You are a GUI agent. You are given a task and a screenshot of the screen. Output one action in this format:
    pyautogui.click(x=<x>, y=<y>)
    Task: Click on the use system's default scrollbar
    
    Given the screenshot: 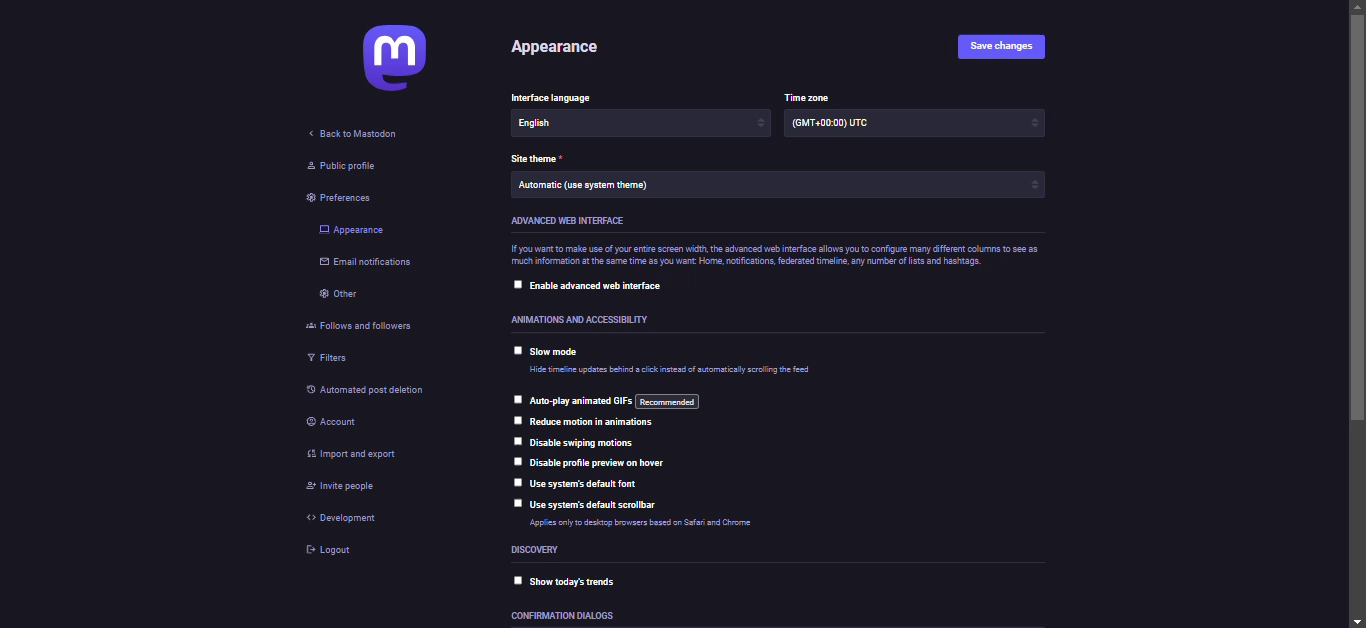 What is the action you would take?
    pyautogui.click(x=598, y=505)
    